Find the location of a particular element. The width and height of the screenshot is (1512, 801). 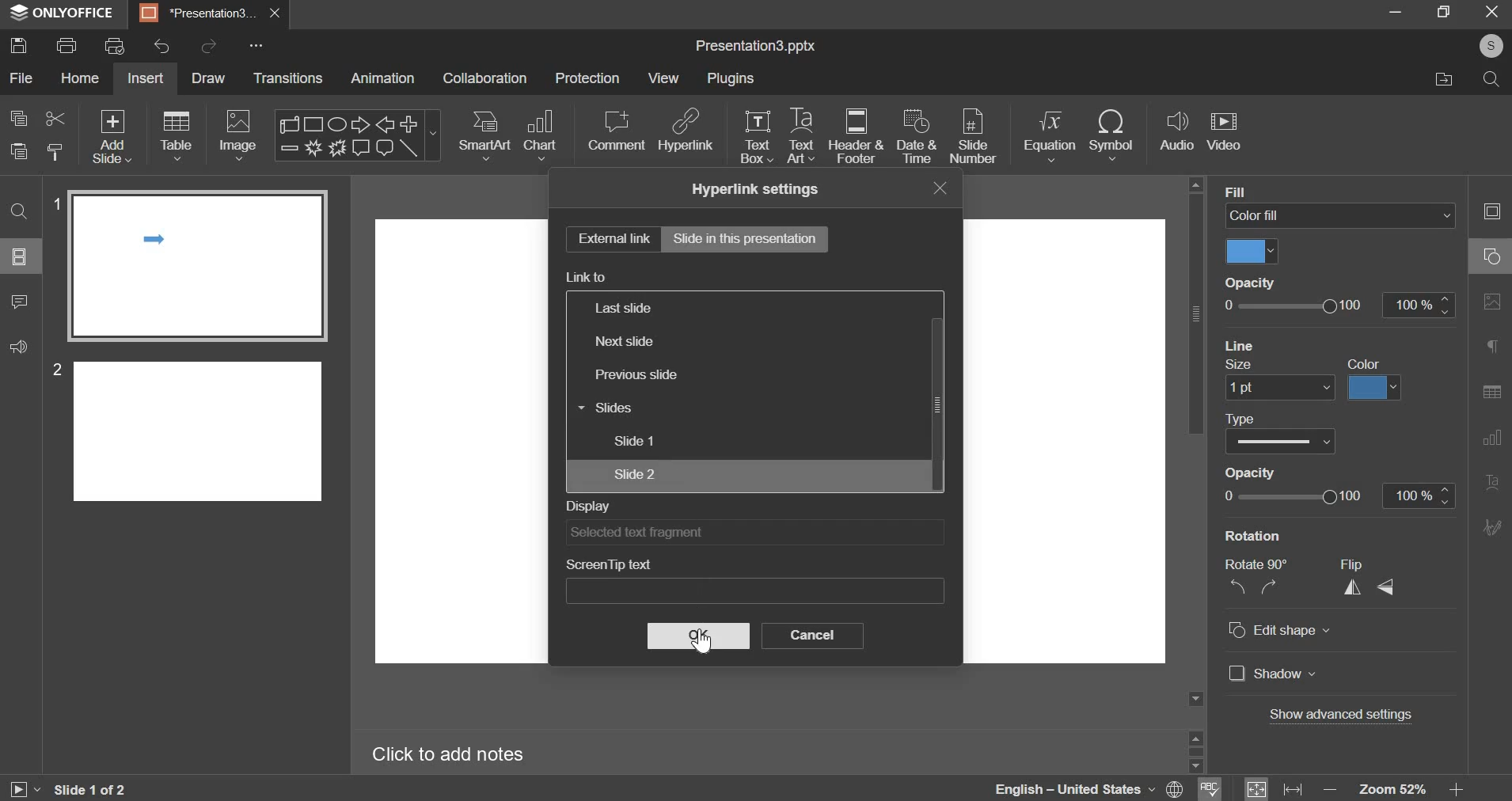

table is located at coordinates (178, 135).